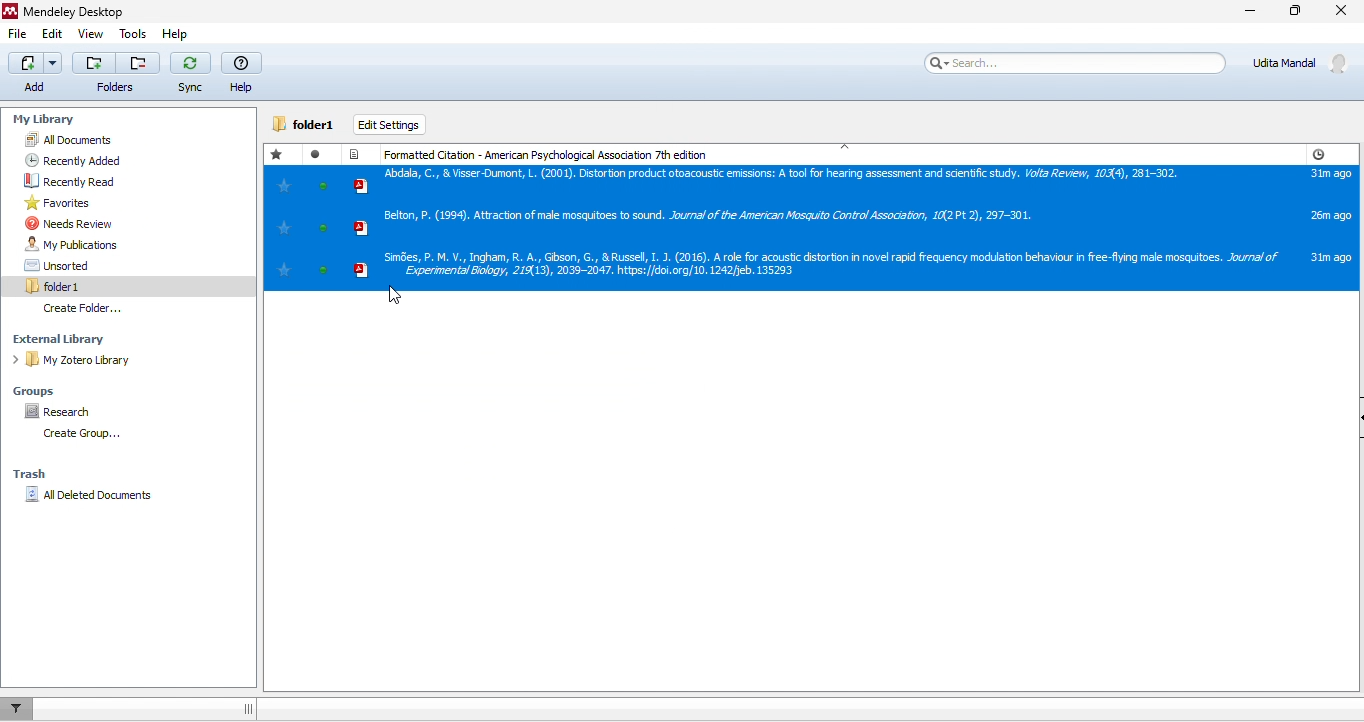  I want to click on close, so click(1344, 13).